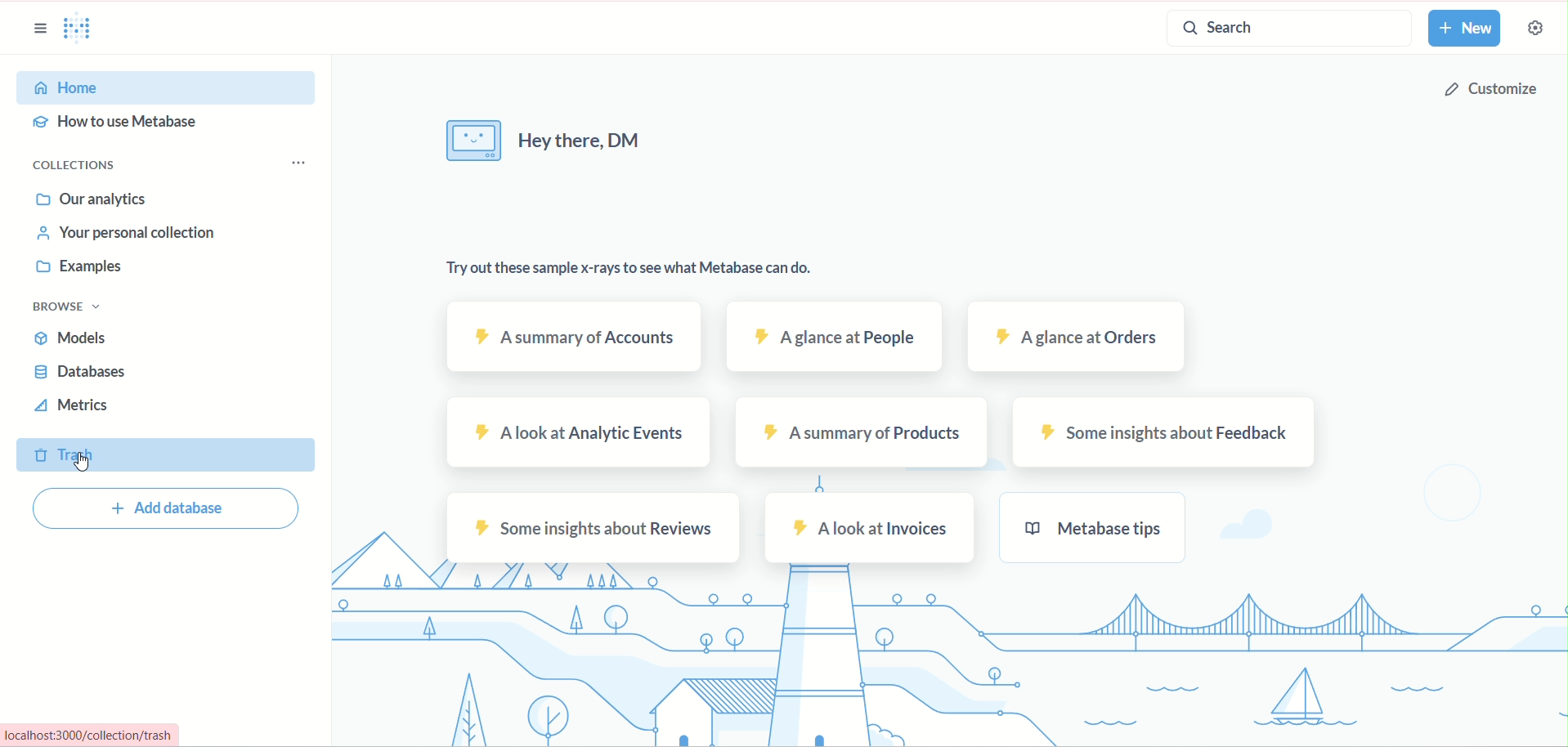 The width and height of the screenshot is (1568, 747). What do you see at coordinates (84, 464) in the screenshot?
I see `cursor` at bounding box center [84, 464].